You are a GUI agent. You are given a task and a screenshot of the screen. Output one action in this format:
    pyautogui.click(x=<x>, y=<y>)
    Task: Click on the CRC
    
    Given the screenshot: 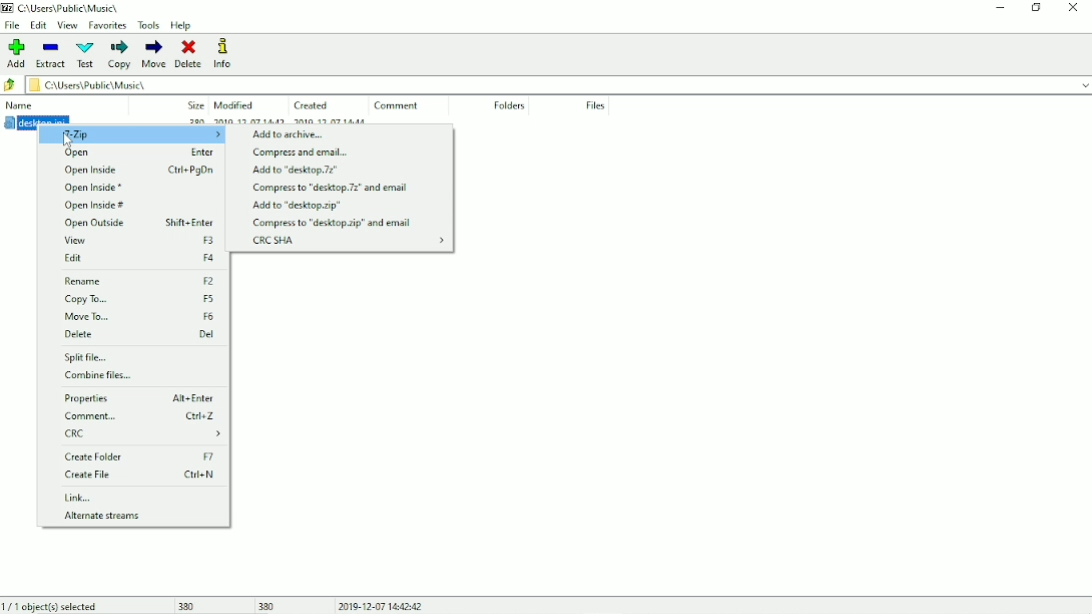 What is the action you would take?
    pyautogui.click(x=145, y=435)
    